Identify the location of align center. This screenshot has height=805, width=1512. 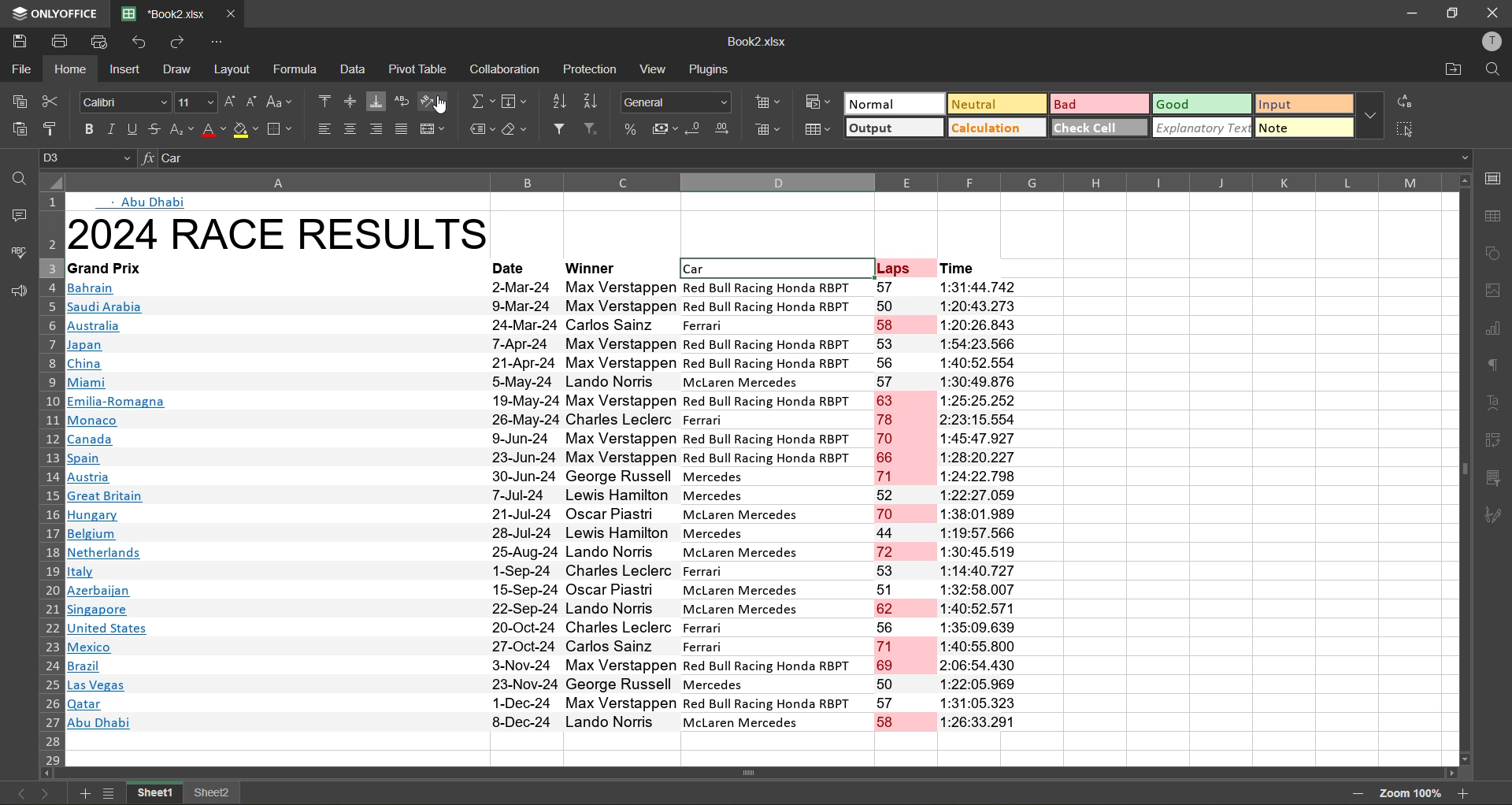
(349, 128).